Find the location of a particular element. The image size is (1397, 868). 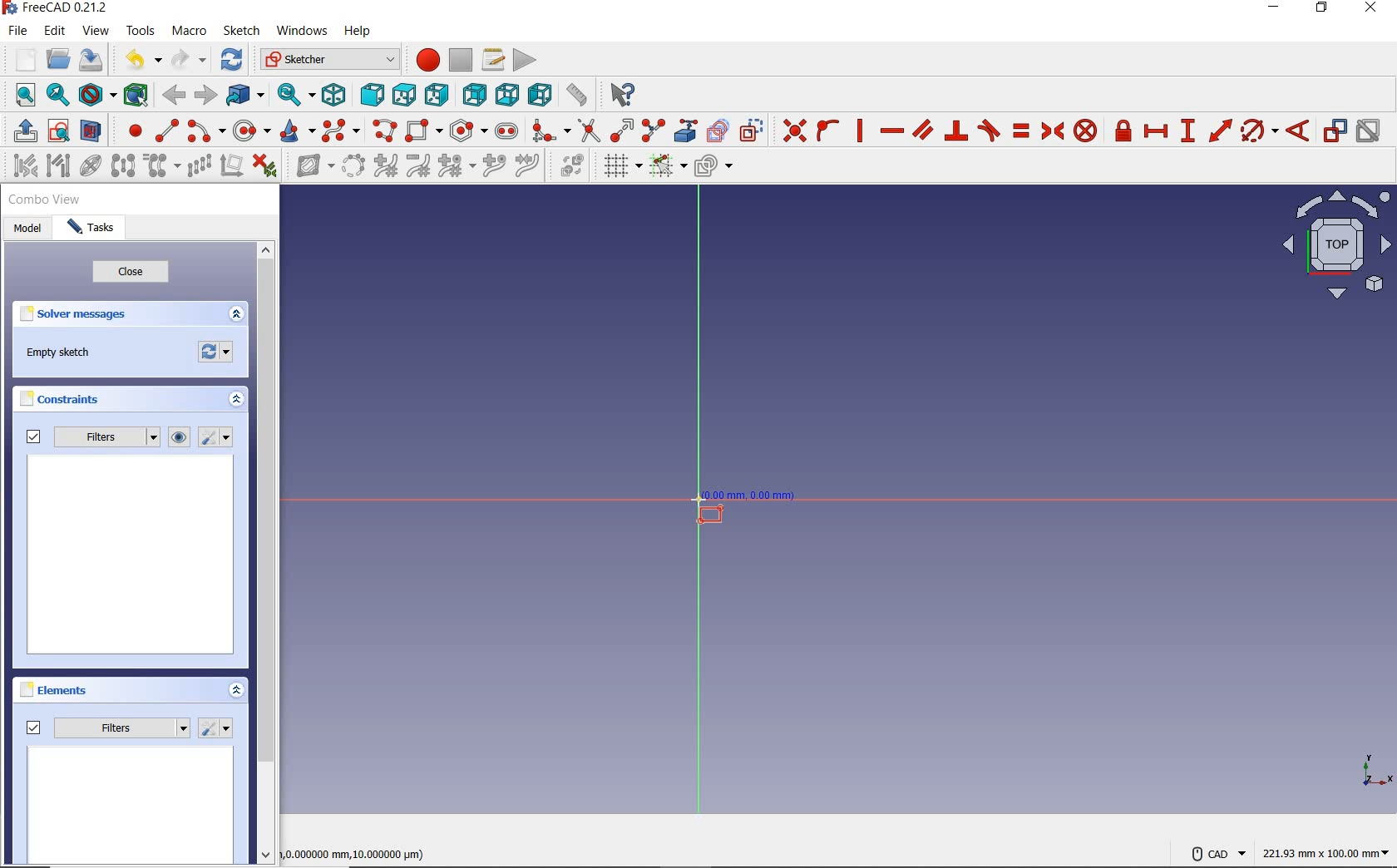

constrain tangent is located at coordinates (990, 131).